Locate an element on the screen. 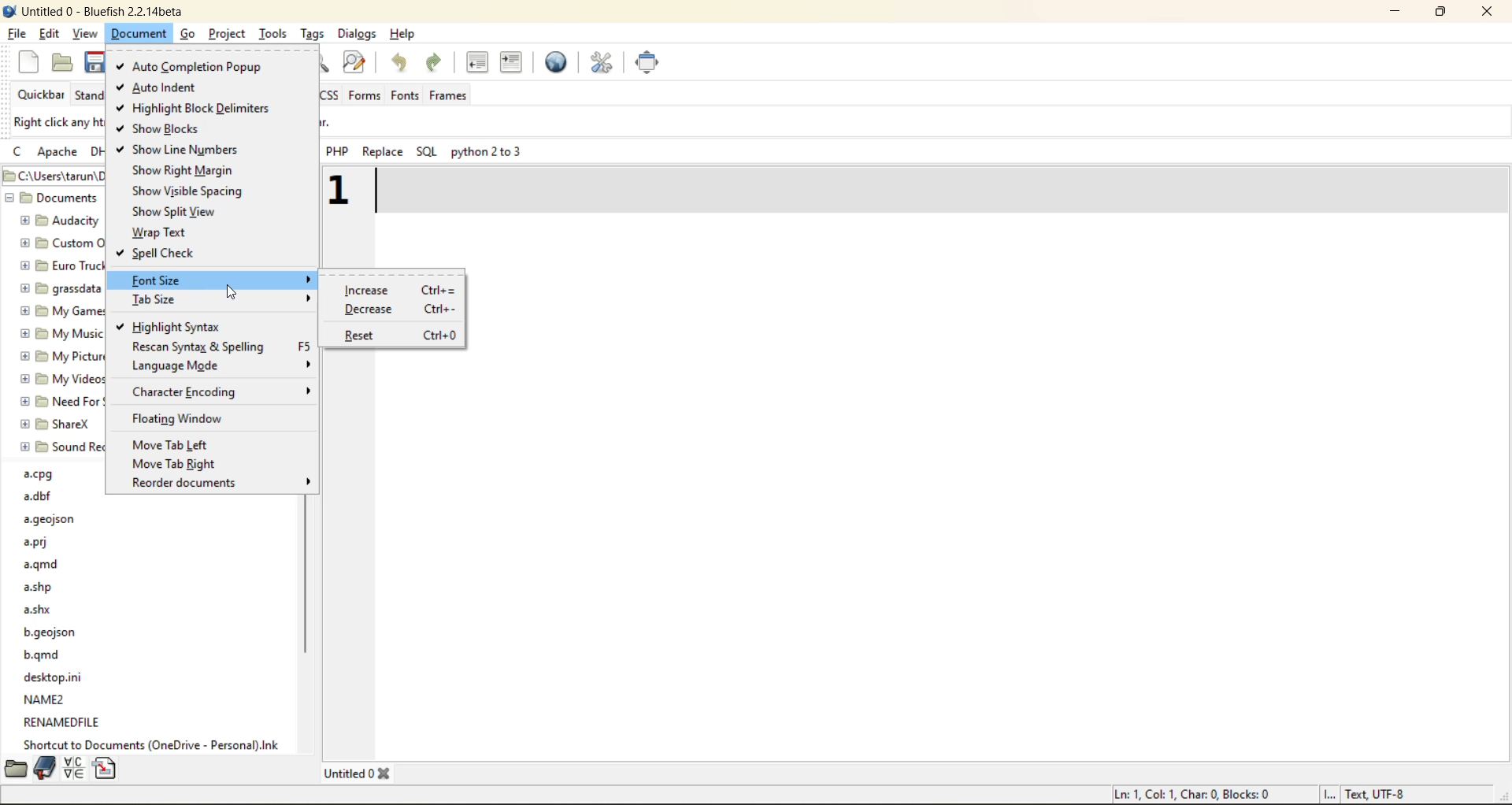 This screenshot has height=805, width=1512. desktop.ini is located at coordinates (57, 677).